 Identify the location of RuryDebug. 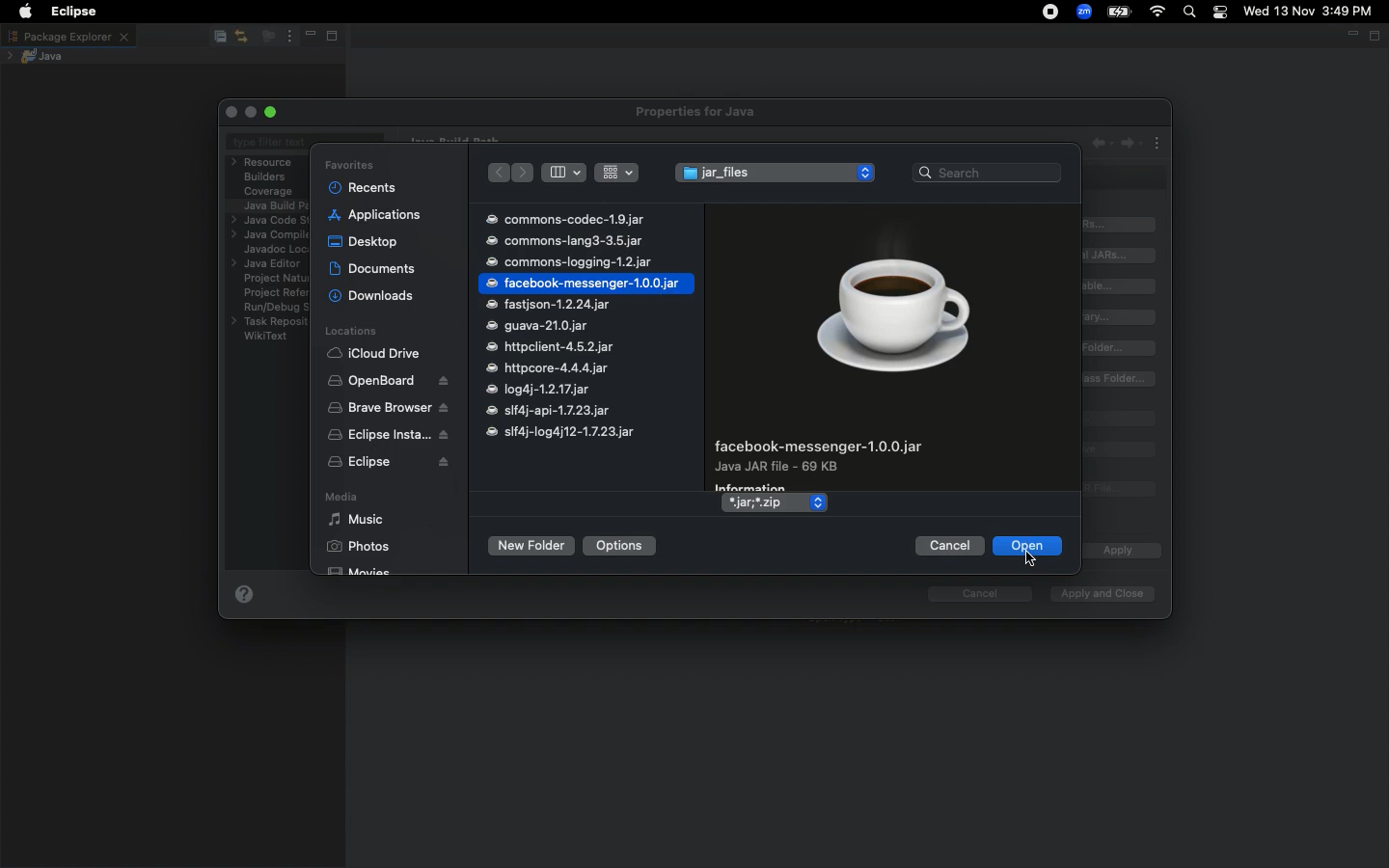
(276, 310).